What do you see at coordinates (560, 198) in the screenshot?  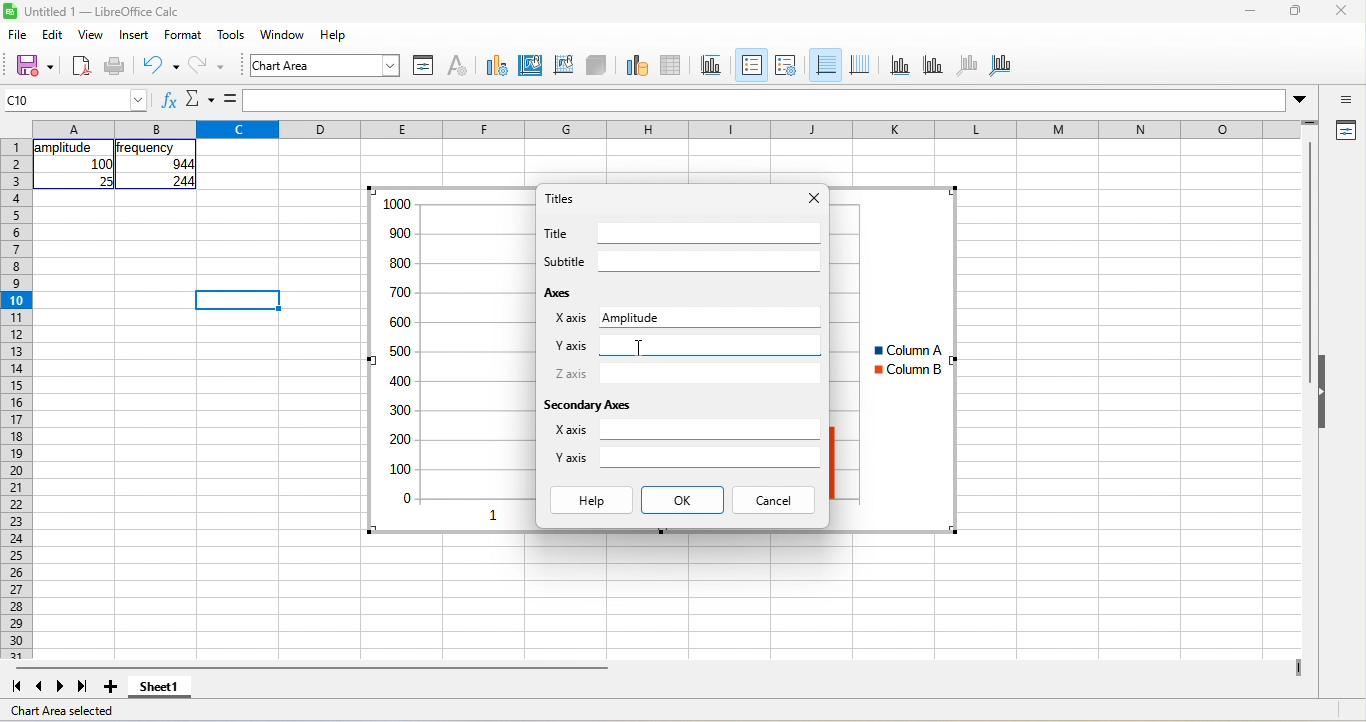 I see `titles` at bounding box center [560, 198].